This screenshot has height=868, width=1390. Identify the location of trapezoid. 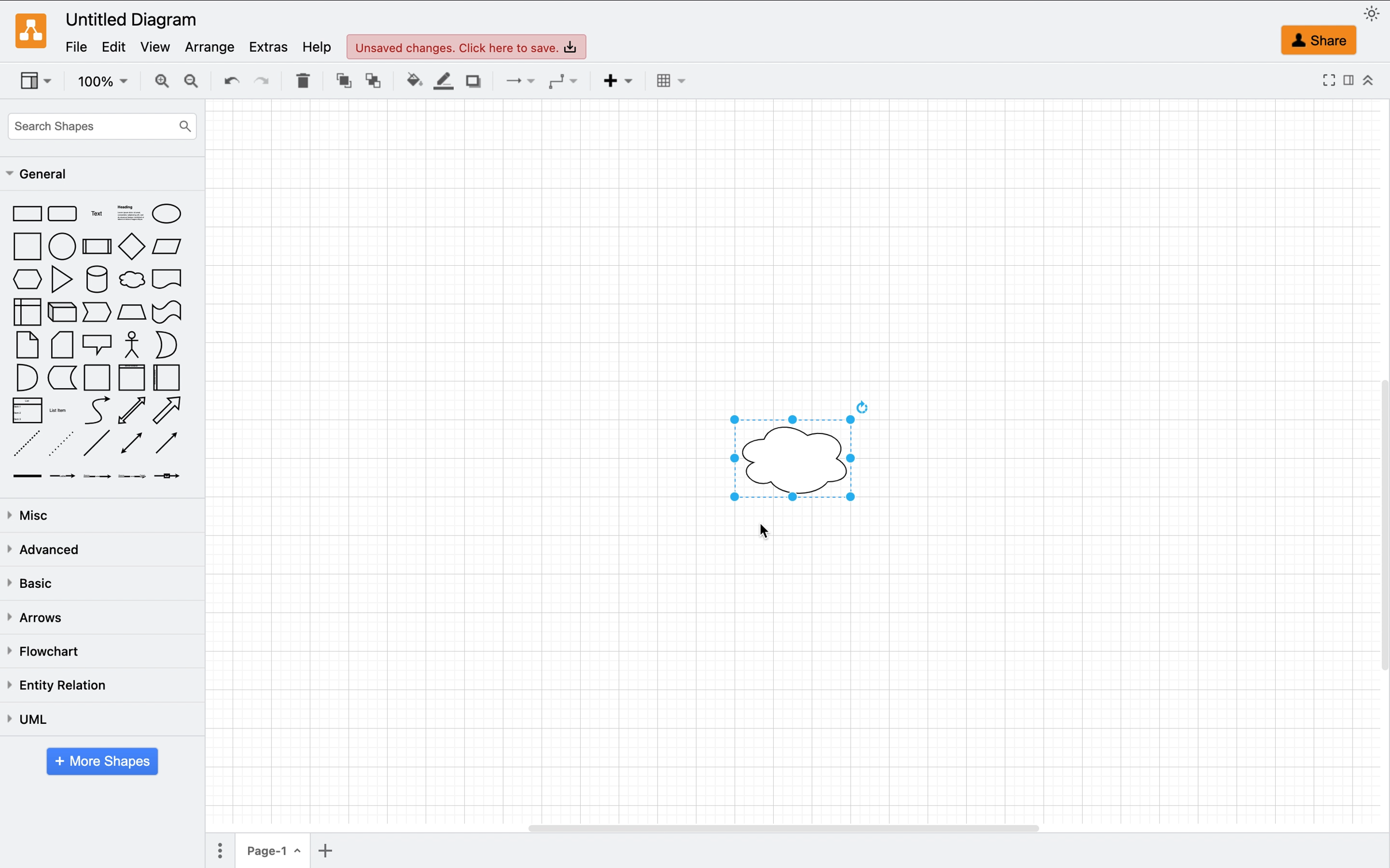
(131, 312).